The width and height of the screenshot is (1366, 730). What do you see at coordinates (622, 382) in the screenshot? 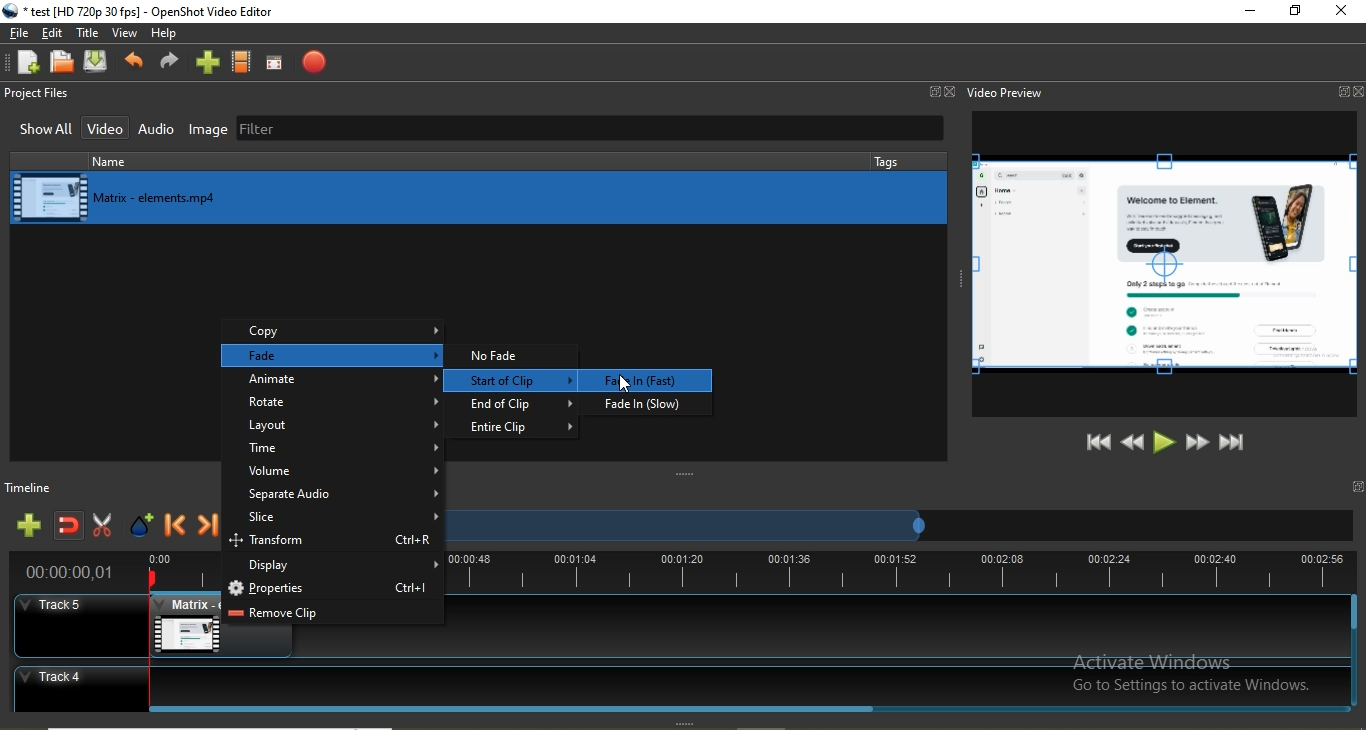
I see `cursor` at bounding box center [622, 382].